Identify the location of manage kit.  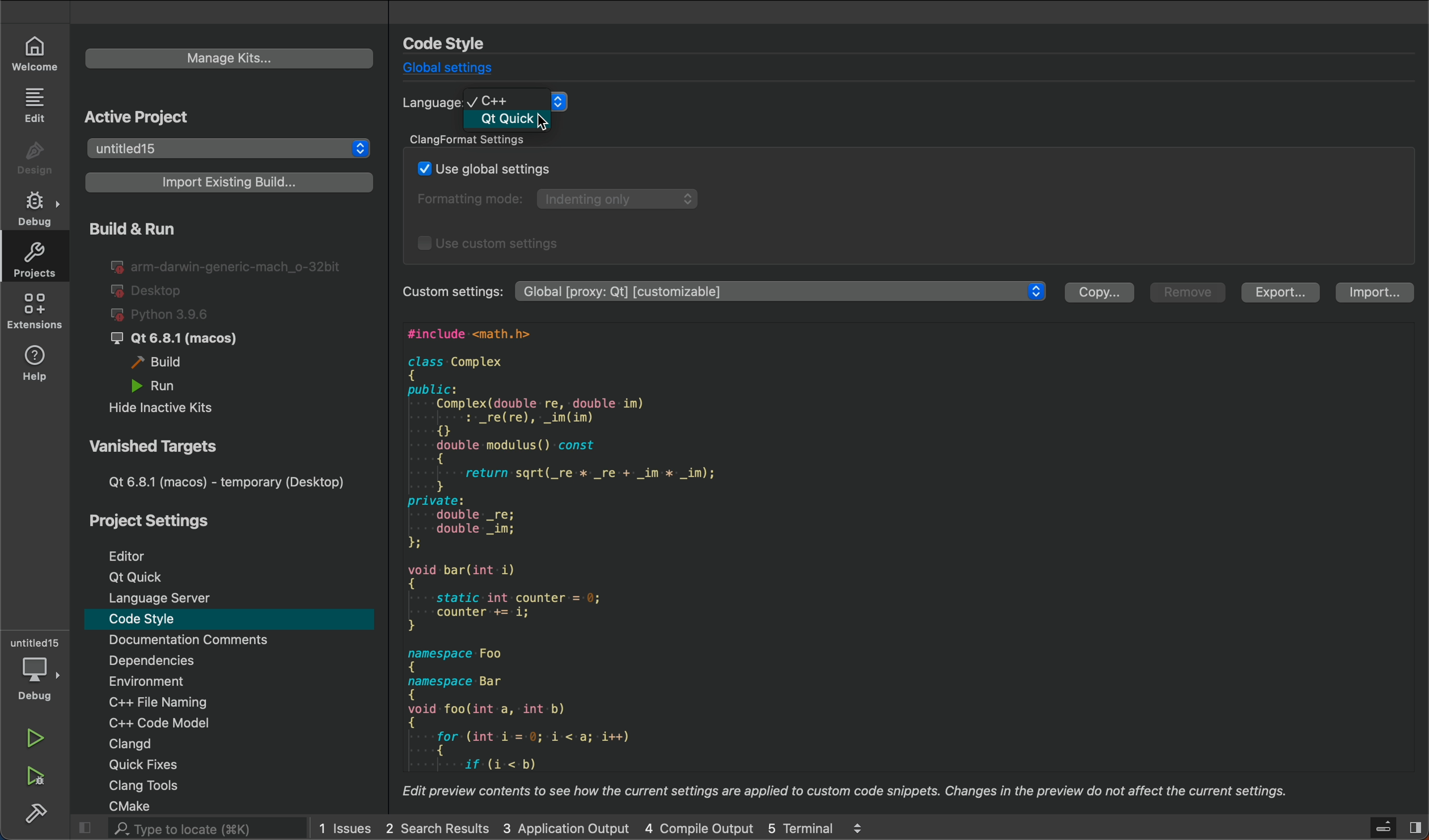
(230, 58).